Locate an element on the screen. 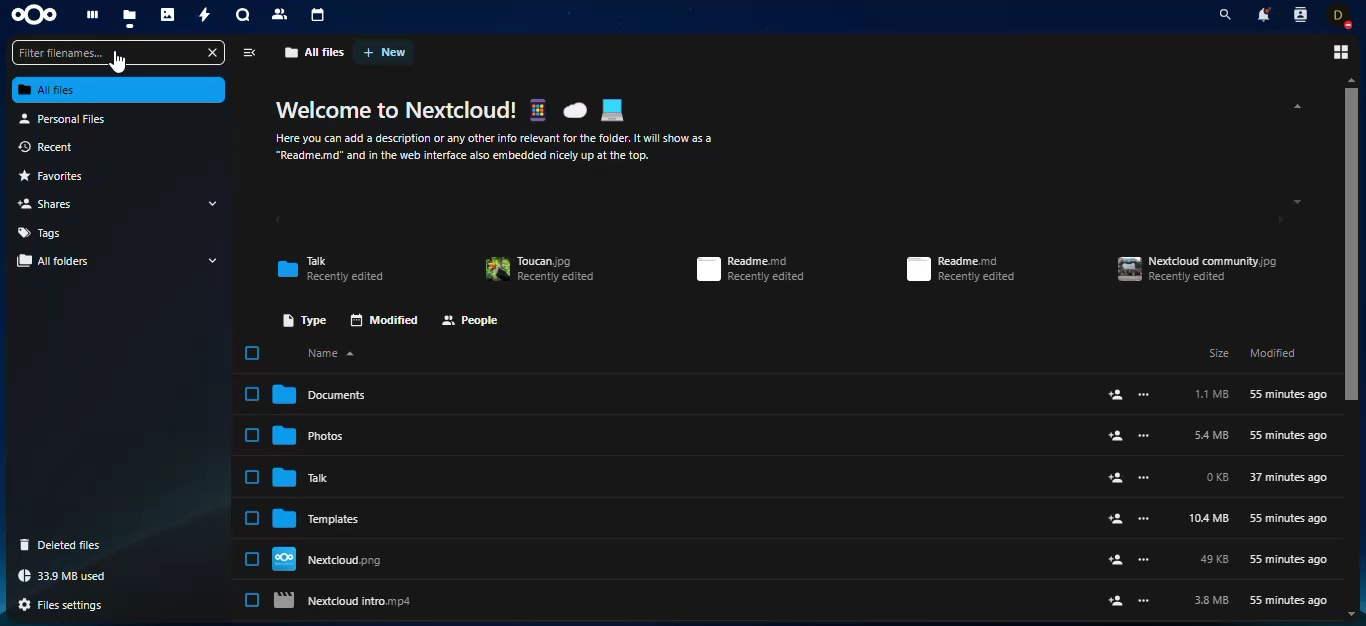 Image resolution: width=1366 pixels, height=626 pixels. add is located at coordinates (1116, 436).